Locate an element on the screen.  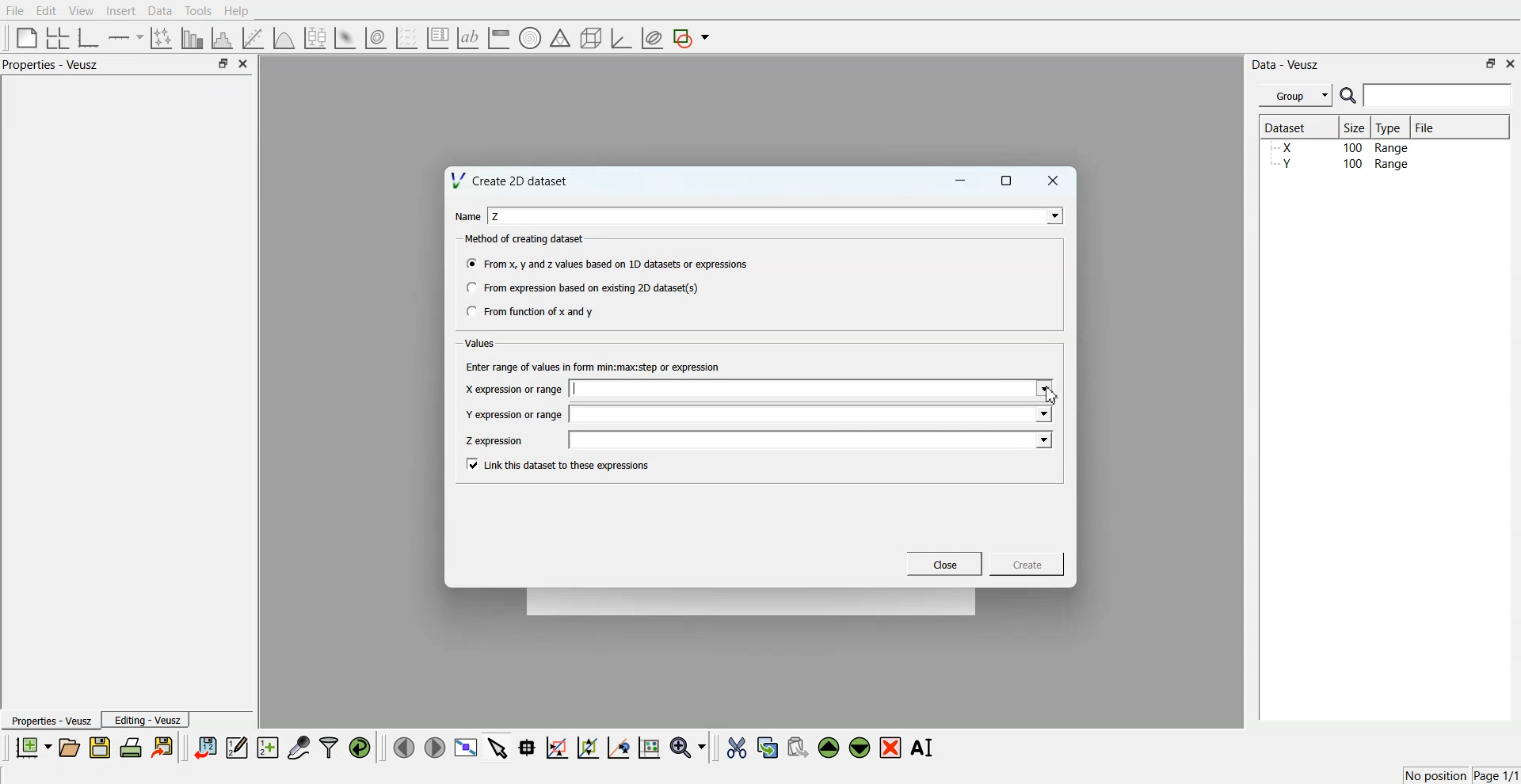
Move down the selected widget is located at coordinates (860, 748).